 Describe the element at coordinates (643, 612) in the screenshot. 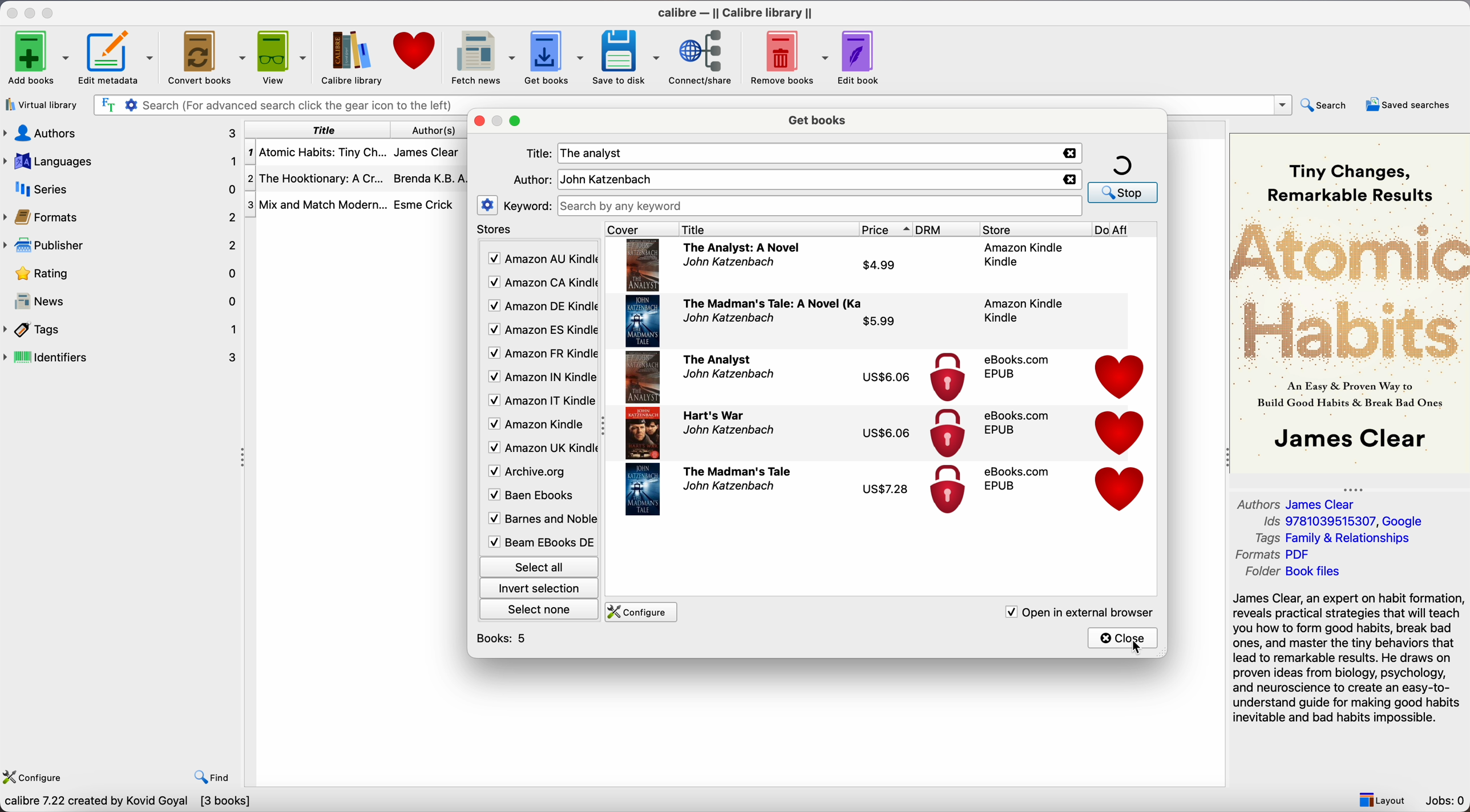

I see `configure` at that location.